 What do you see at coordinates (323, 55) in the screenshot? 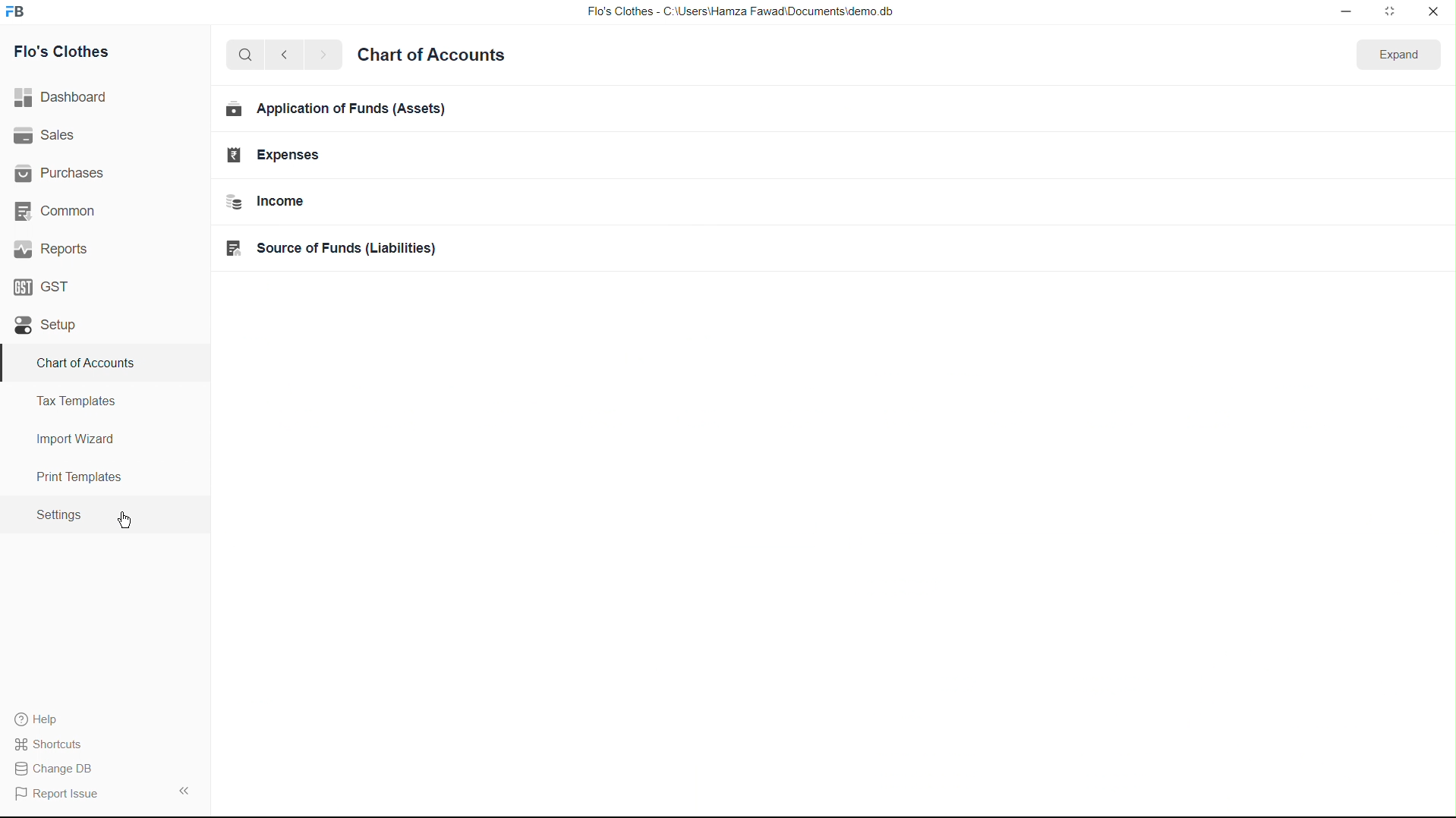
I see `Forward` at bounding box center [323, 55].